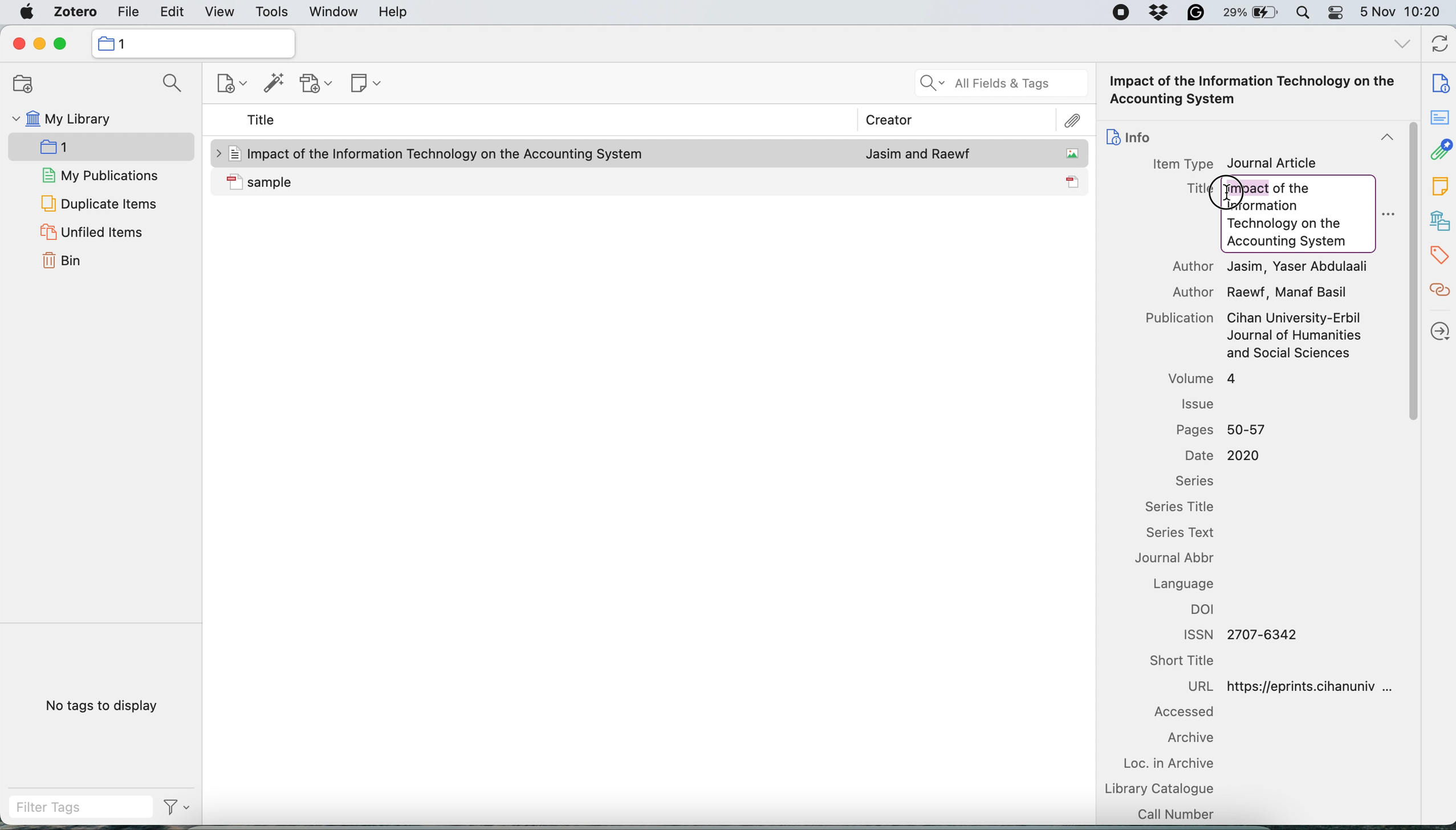  I want to click on file, so click(128, 12).